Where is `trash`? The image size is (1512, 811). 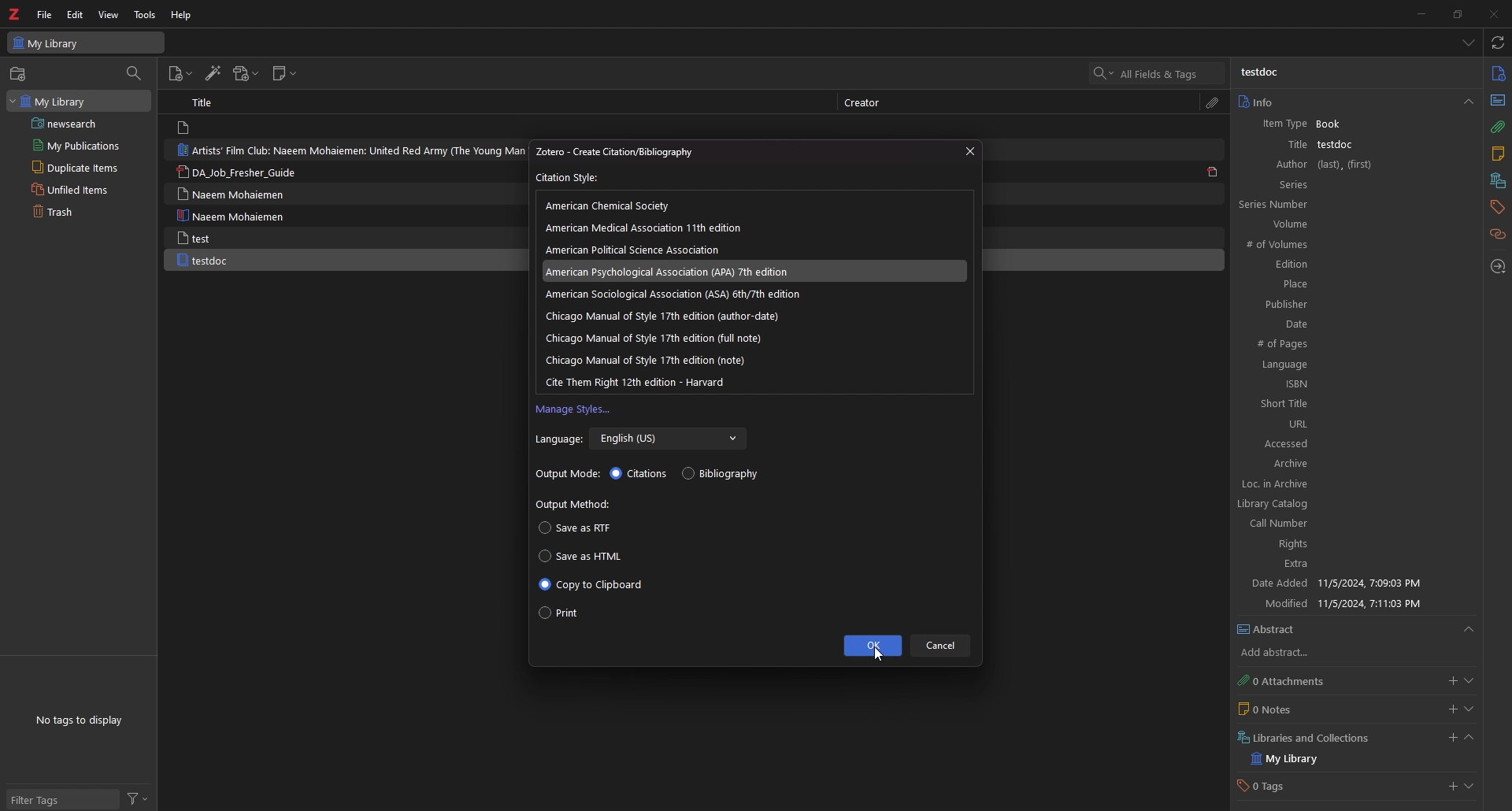
trash is located at coordinates (70, 213).